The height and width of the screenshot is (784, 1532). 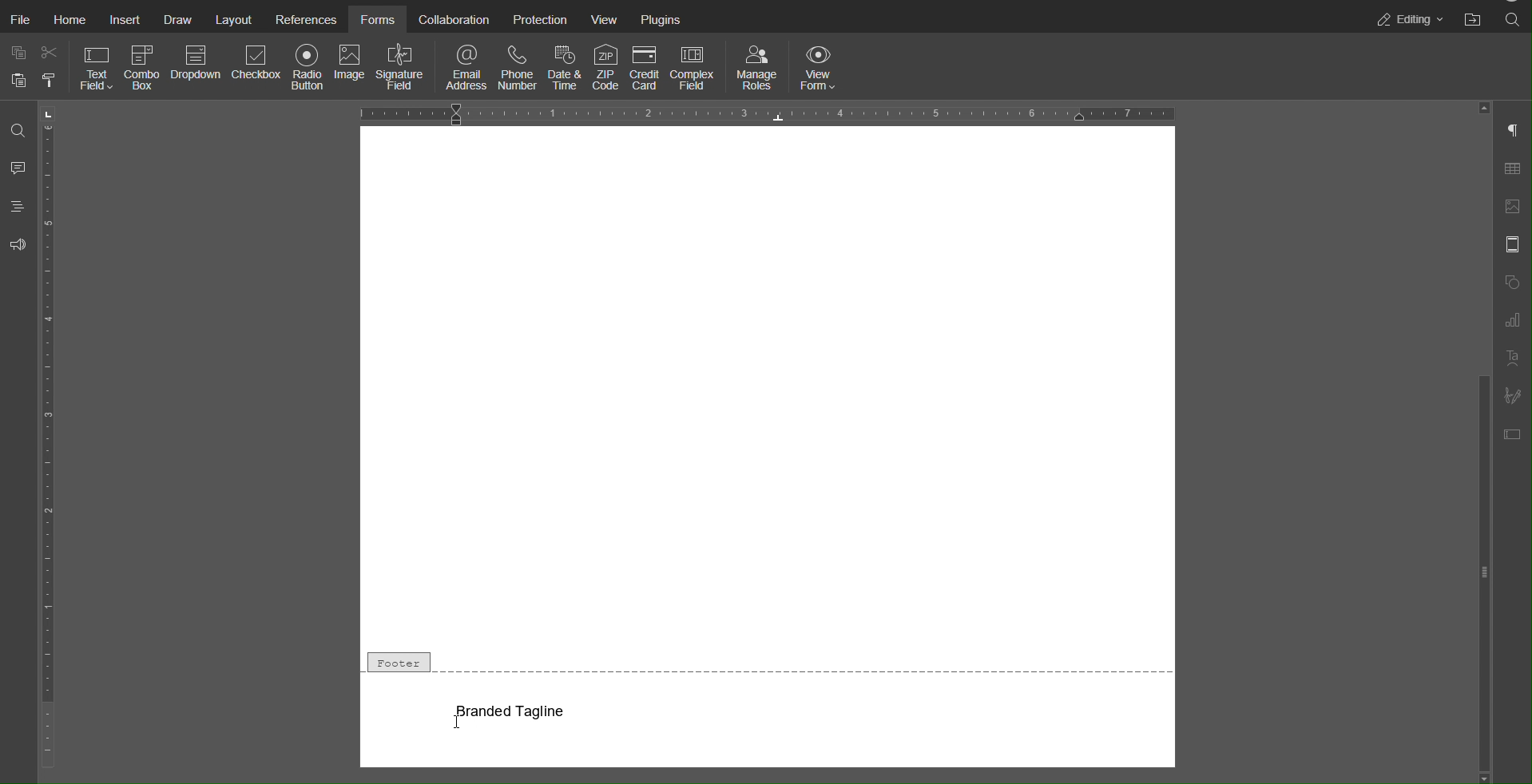 What do you see at coordinates (1514, 434) in the screenshot?
I see `Text Field Settings` at bounding box center [1514, 434].